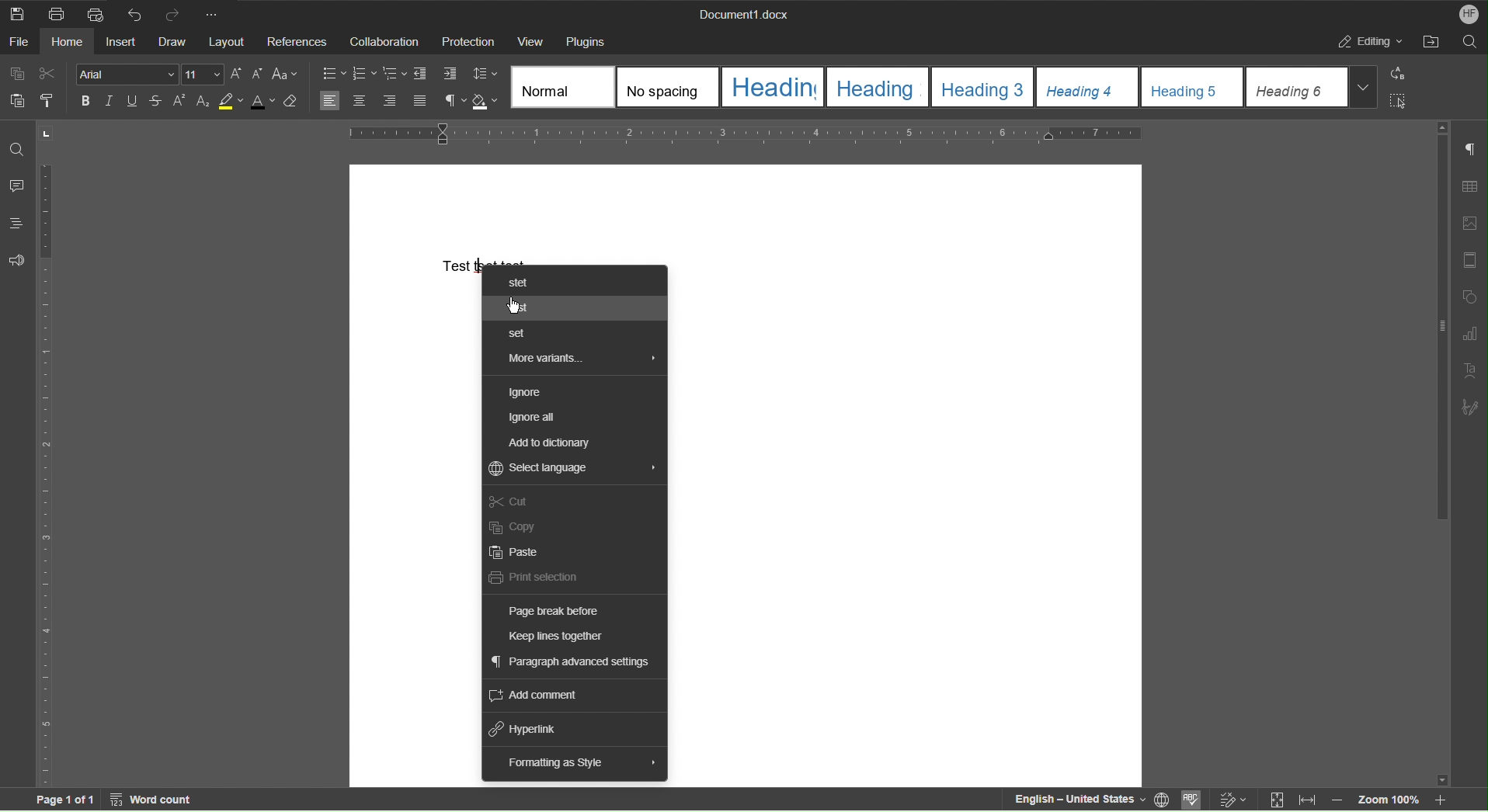 The image size is (1488, 812). I want to click on Find, so click(17, 149).